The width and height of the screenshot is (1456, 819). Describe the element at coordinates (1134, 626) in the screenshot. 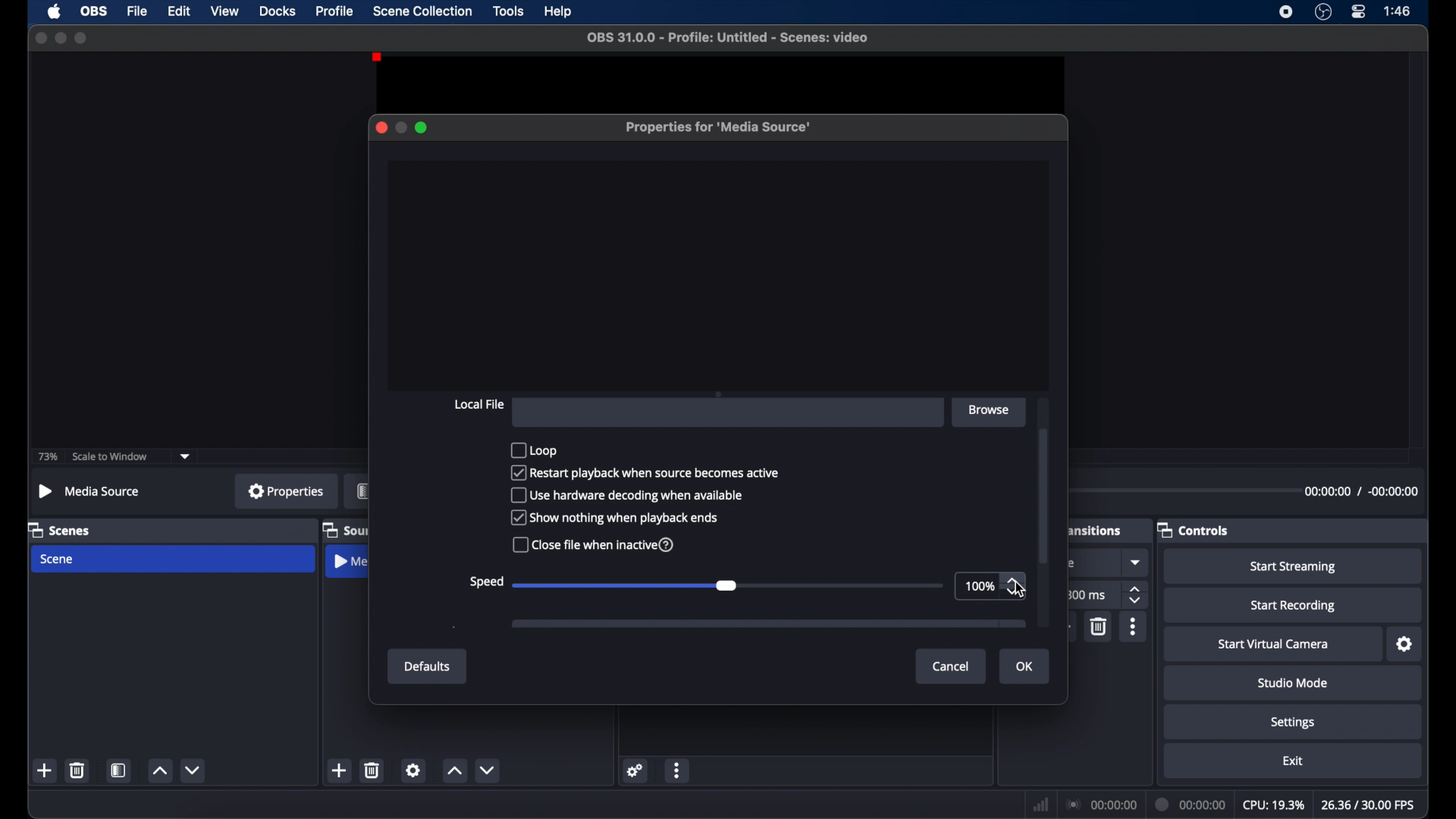

I see `more options` at that location.